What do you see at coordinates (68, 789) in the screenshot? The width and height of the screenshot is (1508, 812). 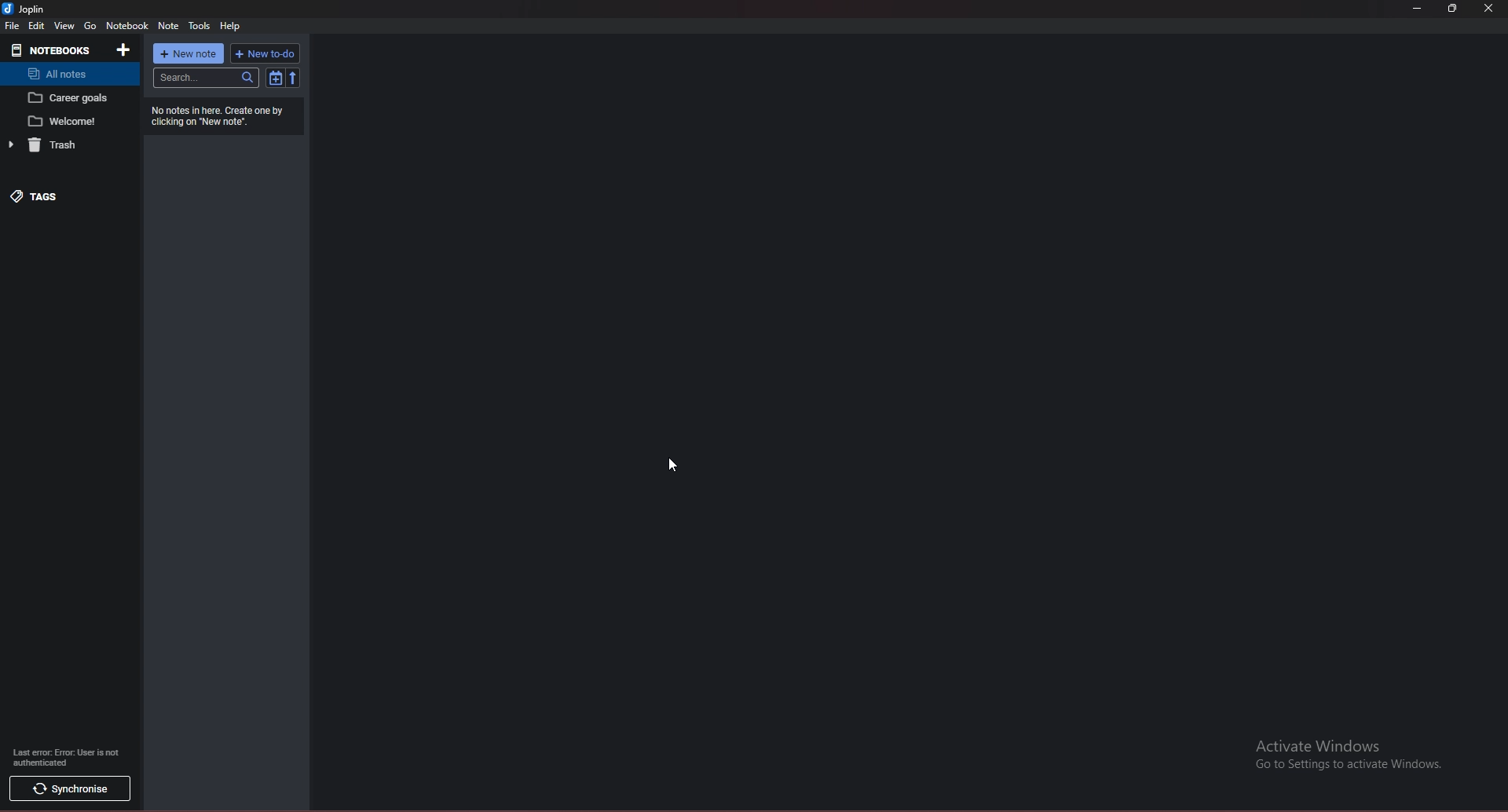 I see `sync` at bounding box center [68, 789].